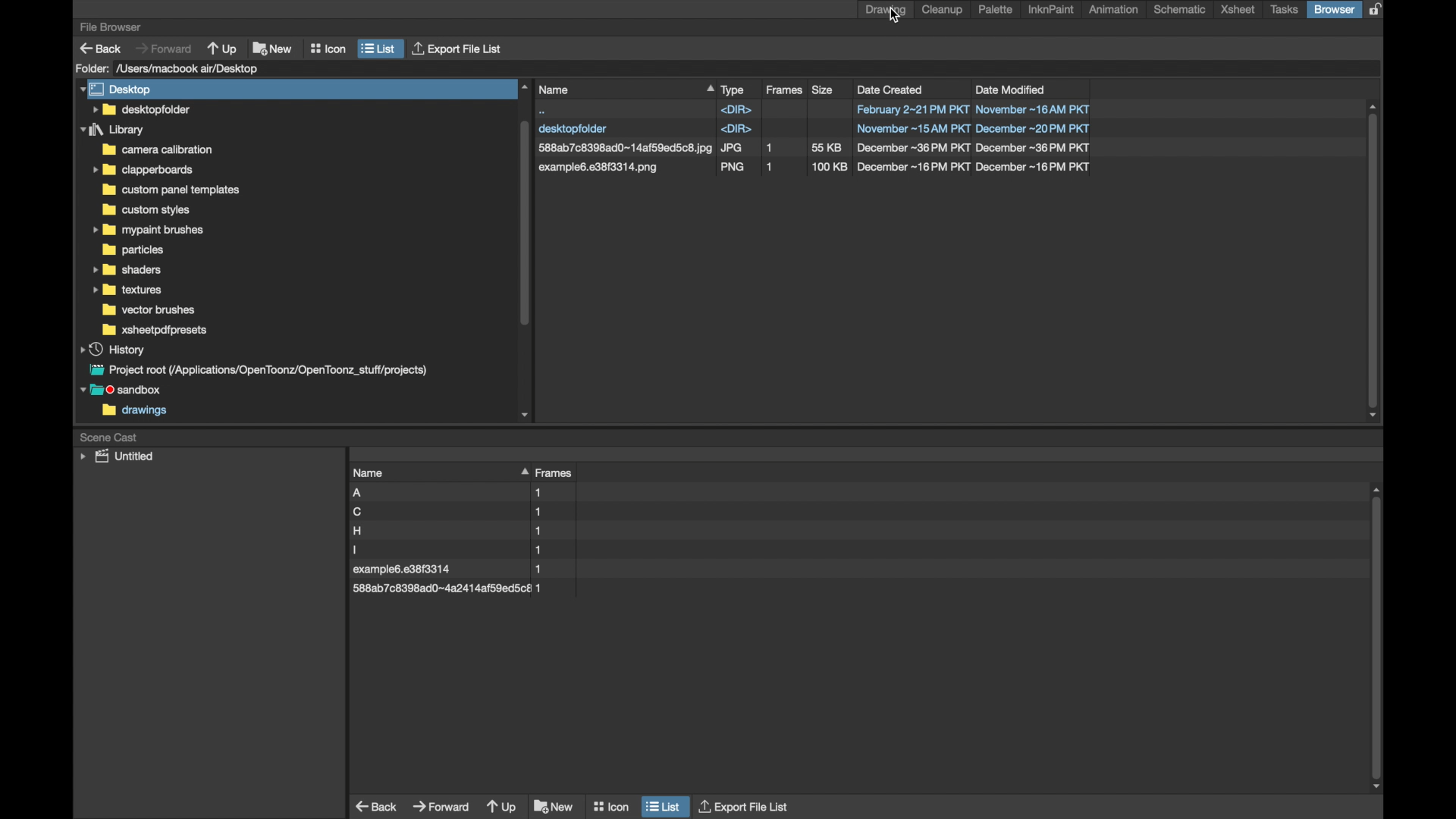 The height and width of the screenshot is (819, 1456). I want to click on list, so click(664, 805).